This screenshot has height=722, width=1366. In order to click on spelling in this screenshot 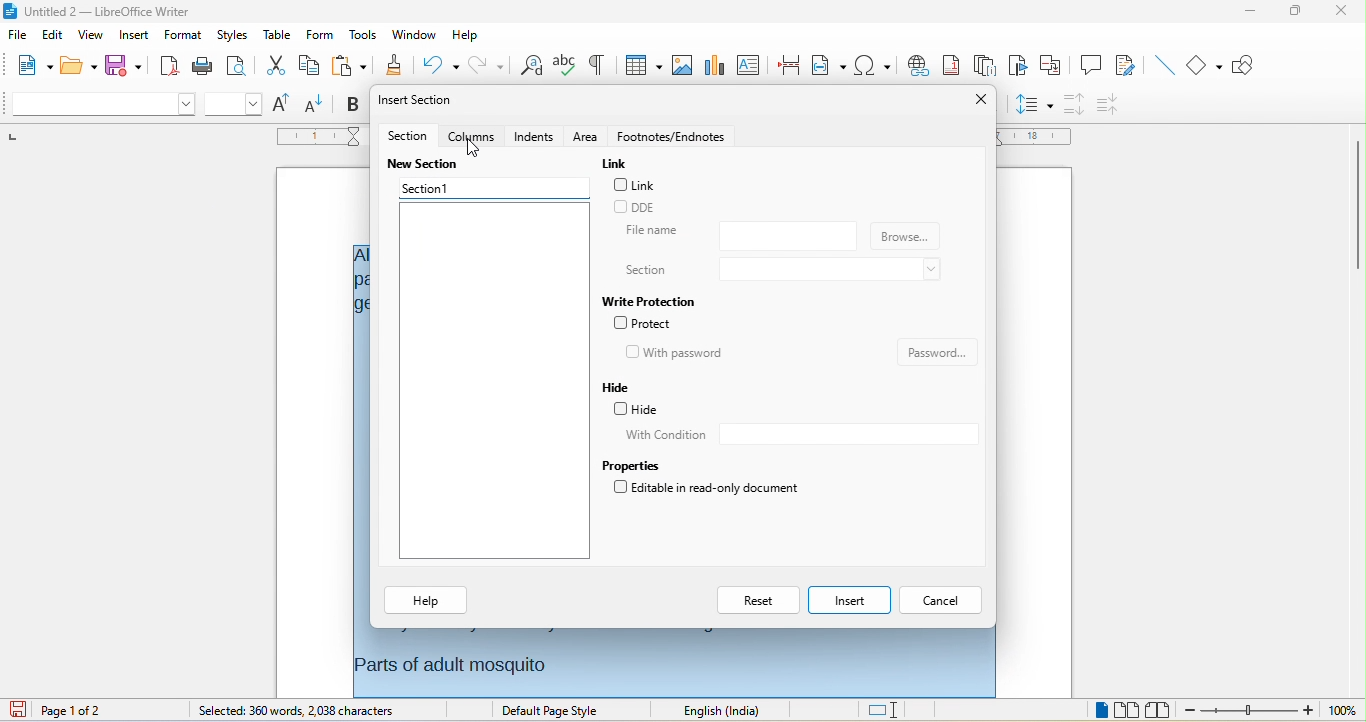, I will do `click(567, 66)`.